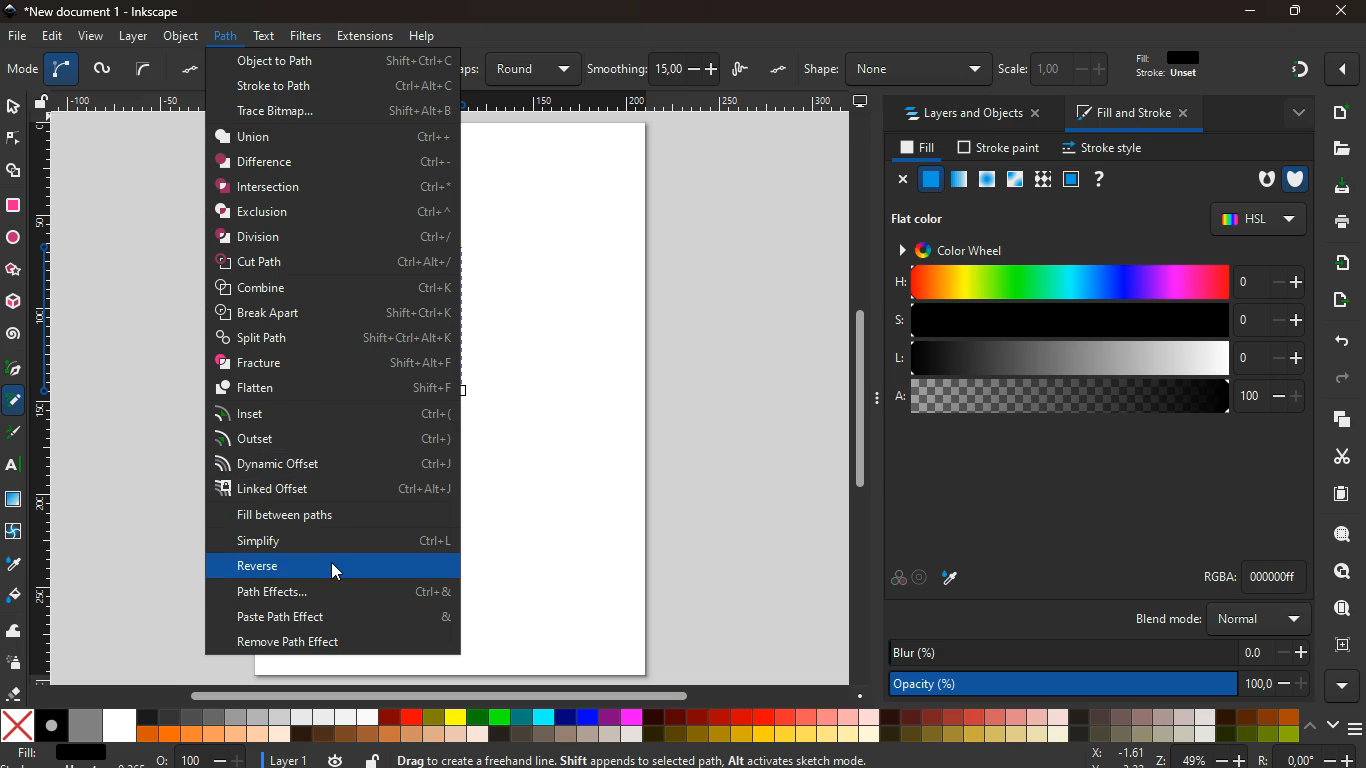 Image resolution: width=1366 pixels, height=768 pixels. Describe the element at coordinates (333, 363) in the screenshot. I see `fracture` at that location.